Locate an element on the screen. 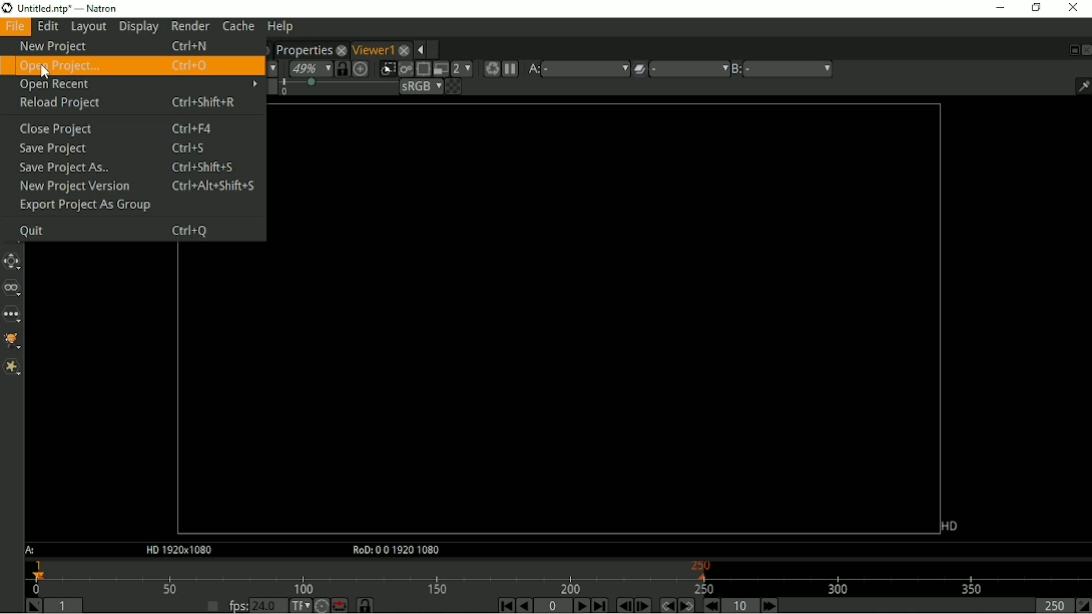 The image size is (1092, 614). Collapse is located at coordinates (419, 50).